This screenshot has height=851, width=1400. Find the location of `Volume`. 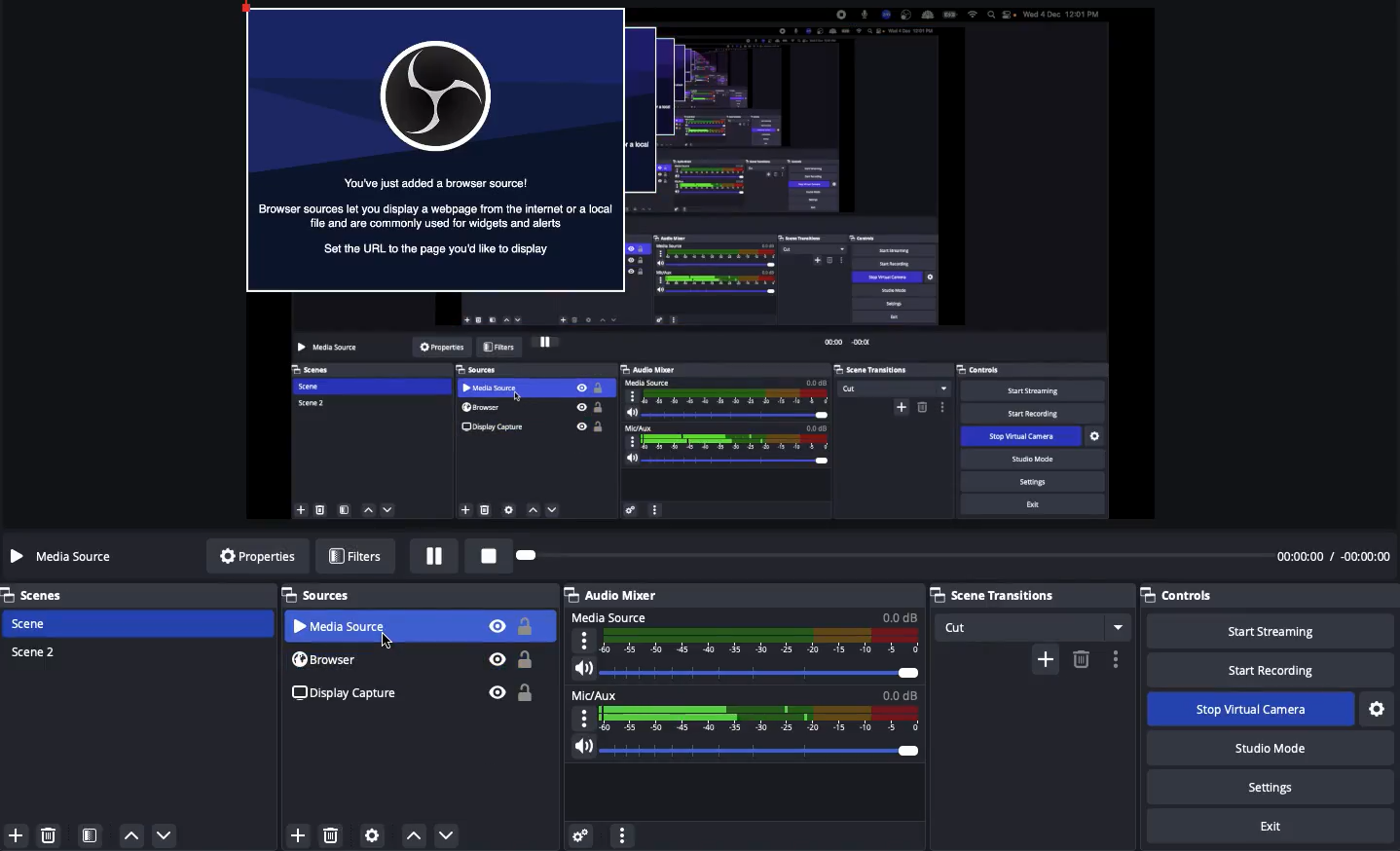

Volume is located at coordinates (746, 750).